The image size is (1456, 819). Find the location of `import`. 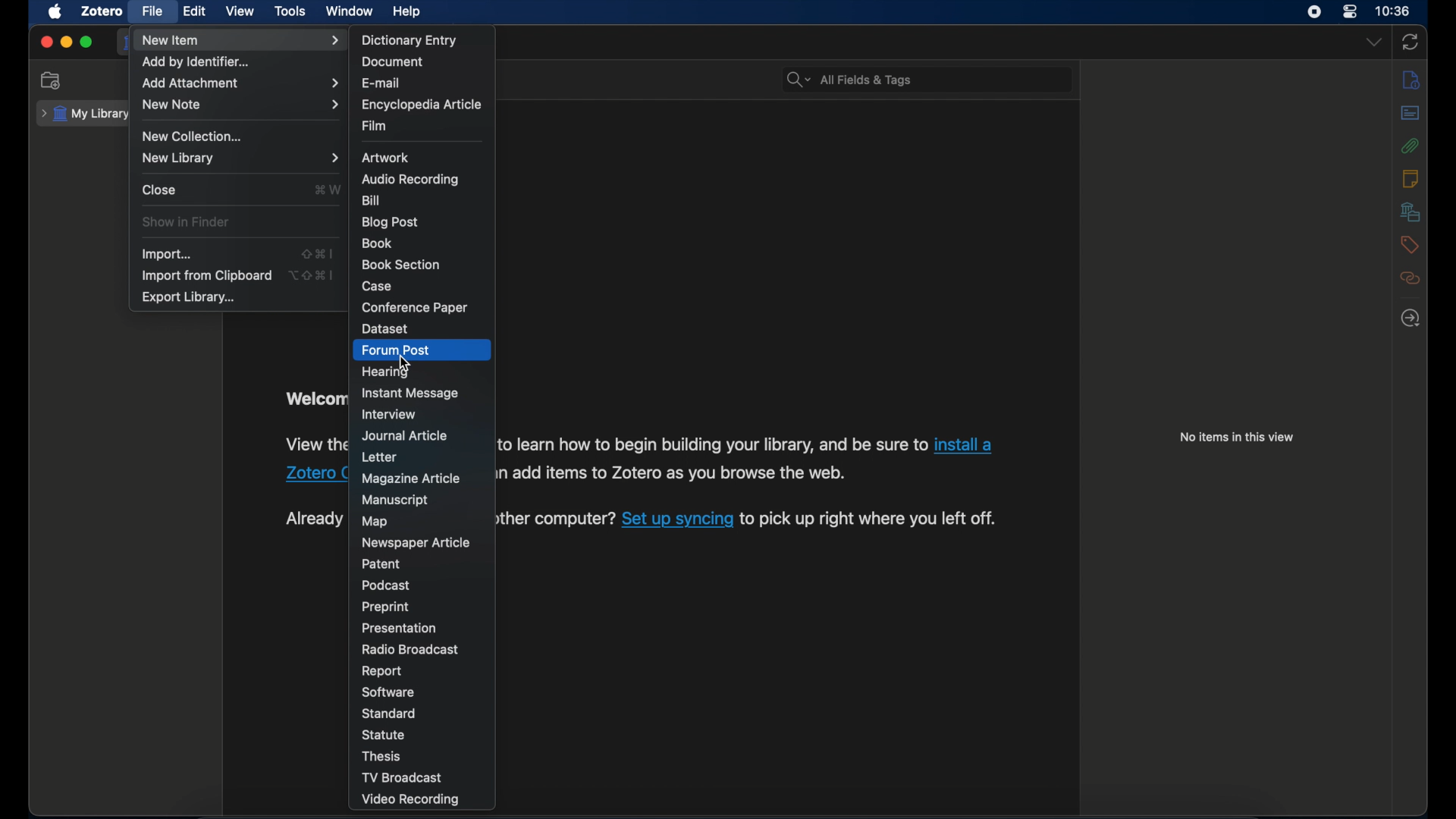

import is located at coordinates (167, 255).